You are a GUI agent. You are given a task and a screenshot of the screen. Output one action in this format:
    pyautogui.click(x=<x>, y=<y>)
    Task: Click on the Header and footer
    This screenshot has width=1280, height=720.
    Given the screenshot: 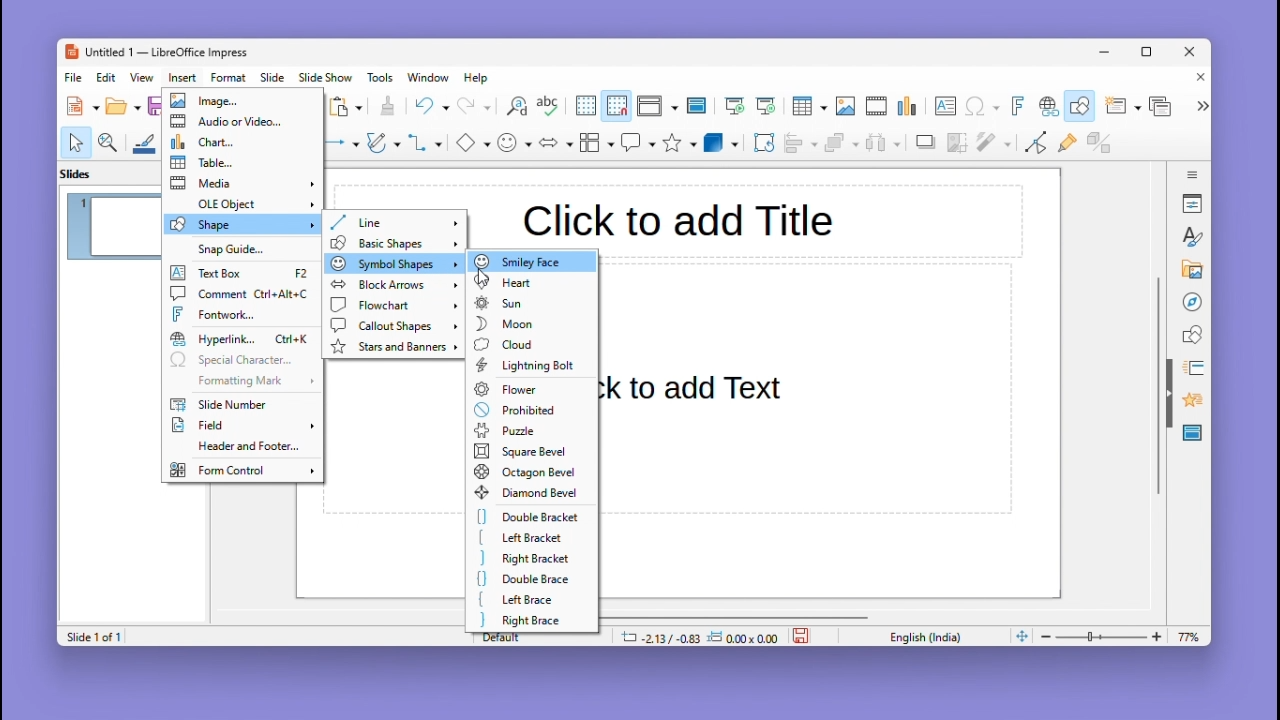 What is the action you would take?
    pyautogui.click(x=239, y=448)
    